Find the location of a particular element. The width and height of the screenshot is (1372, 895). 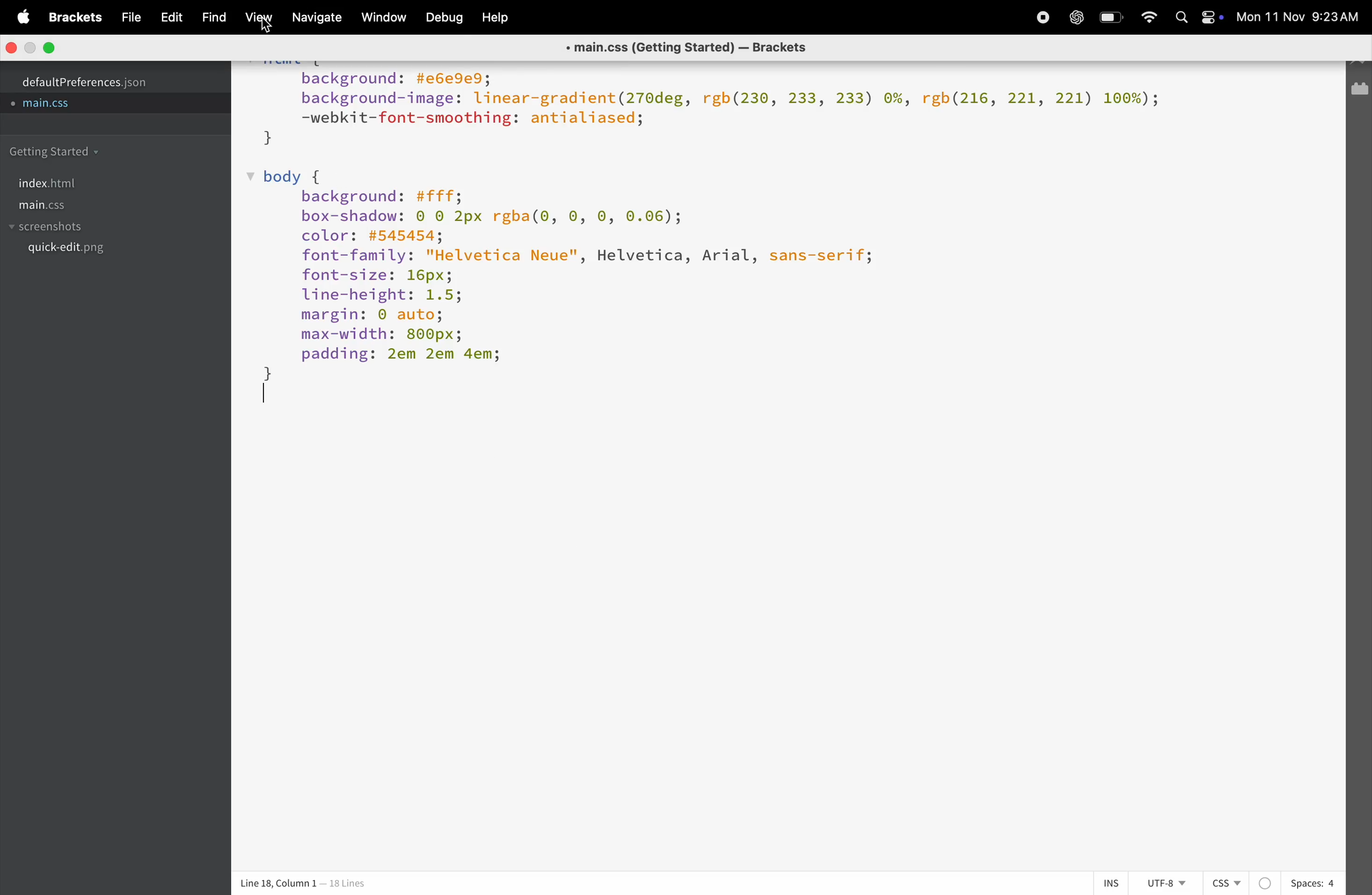

ins is located at coordinates (1106, 882).